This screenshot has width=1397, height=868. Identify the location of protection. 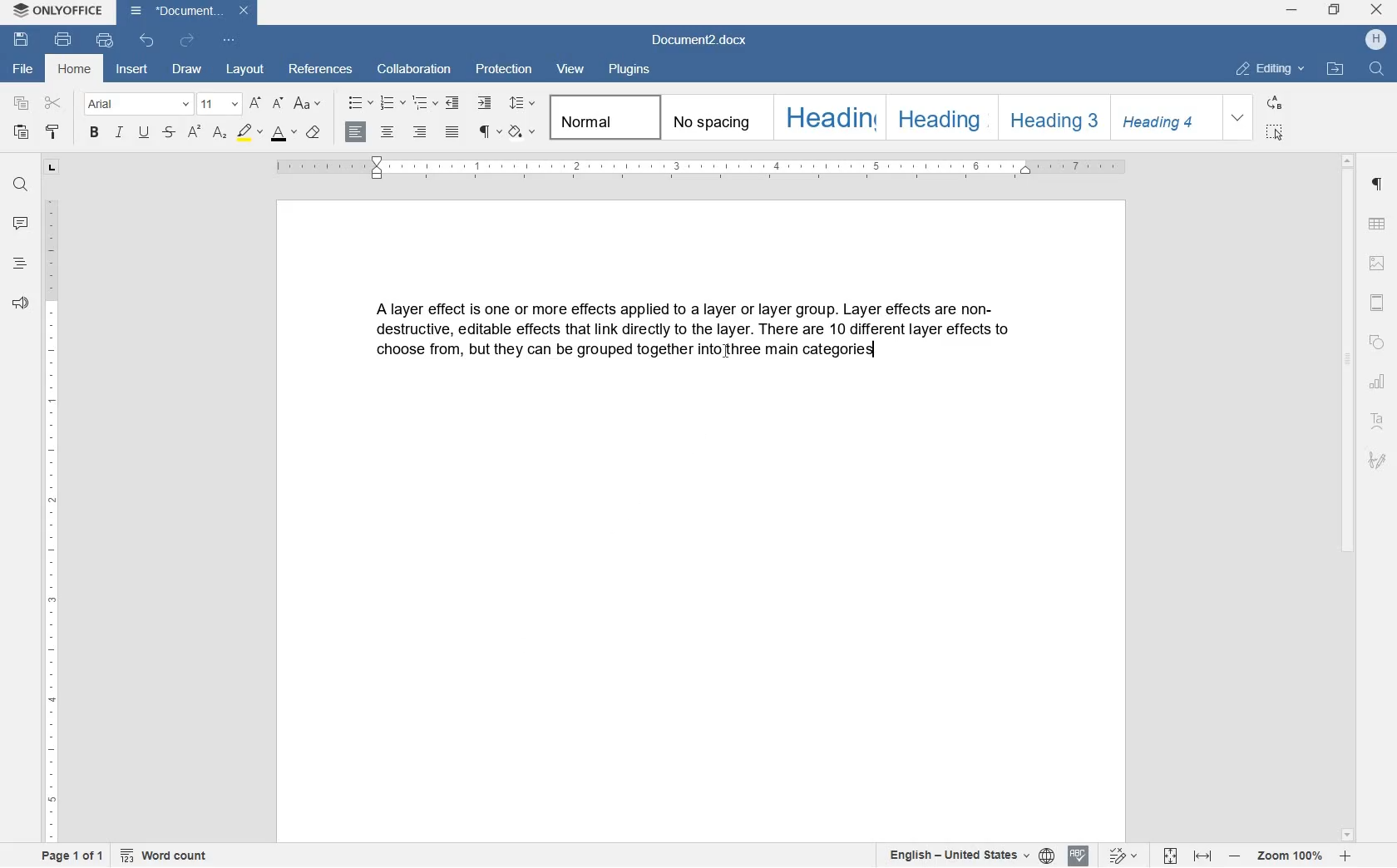
(506, 71).